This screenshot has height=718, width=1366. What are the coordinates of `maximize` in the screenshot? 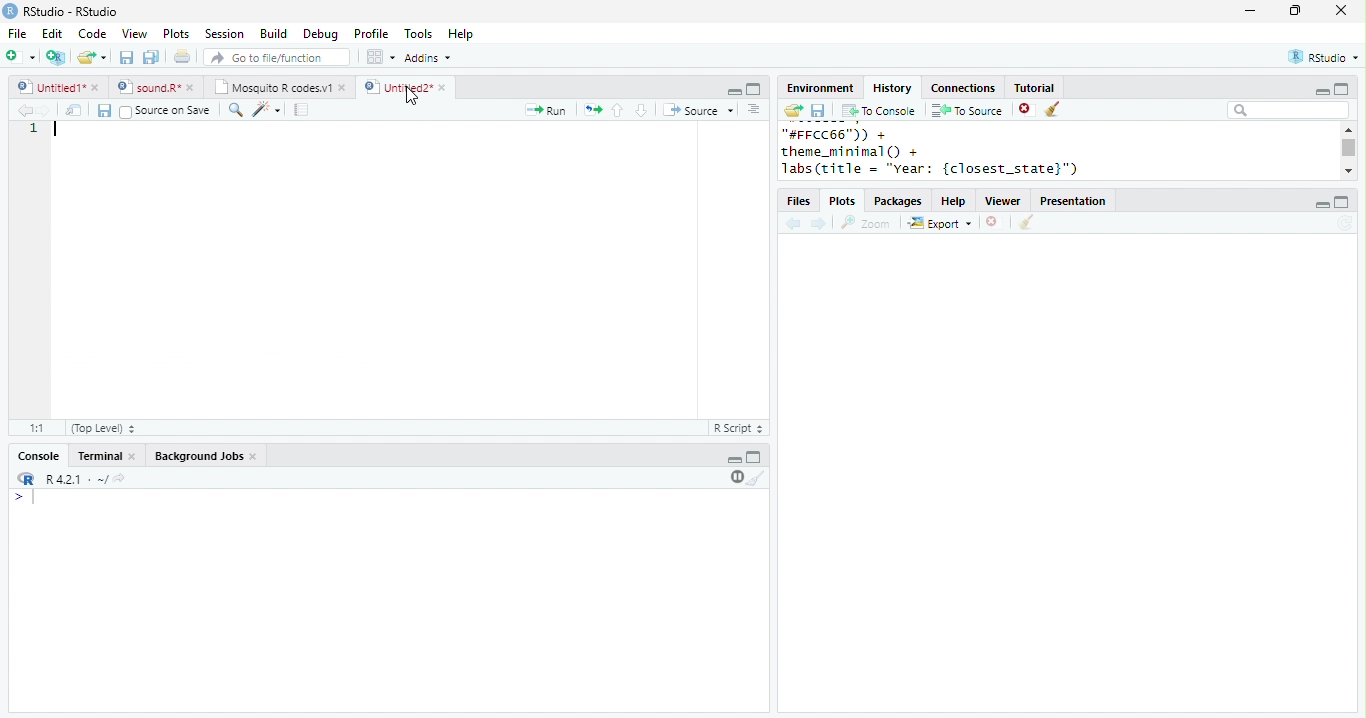 It's located at (754, 456).